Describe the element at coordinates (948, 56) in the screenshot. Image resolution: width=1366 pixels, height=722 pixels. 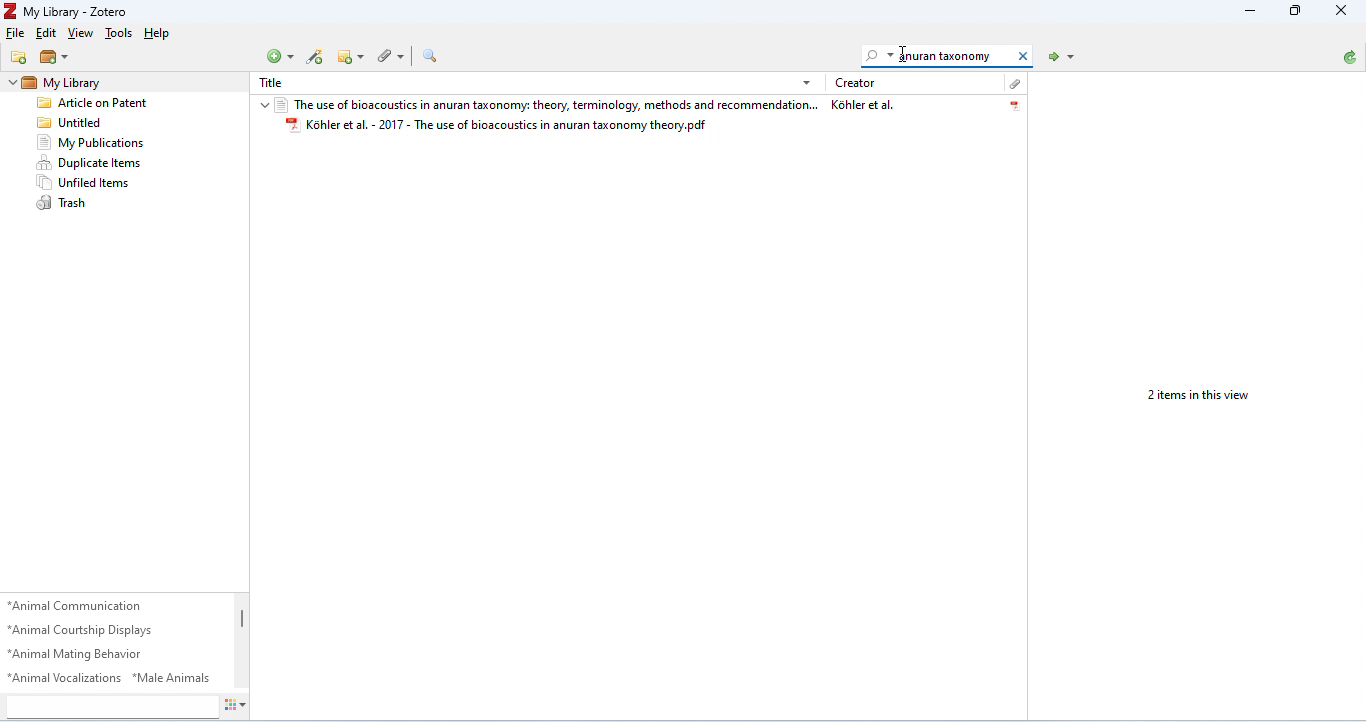
I see `Search Everything` at that location.